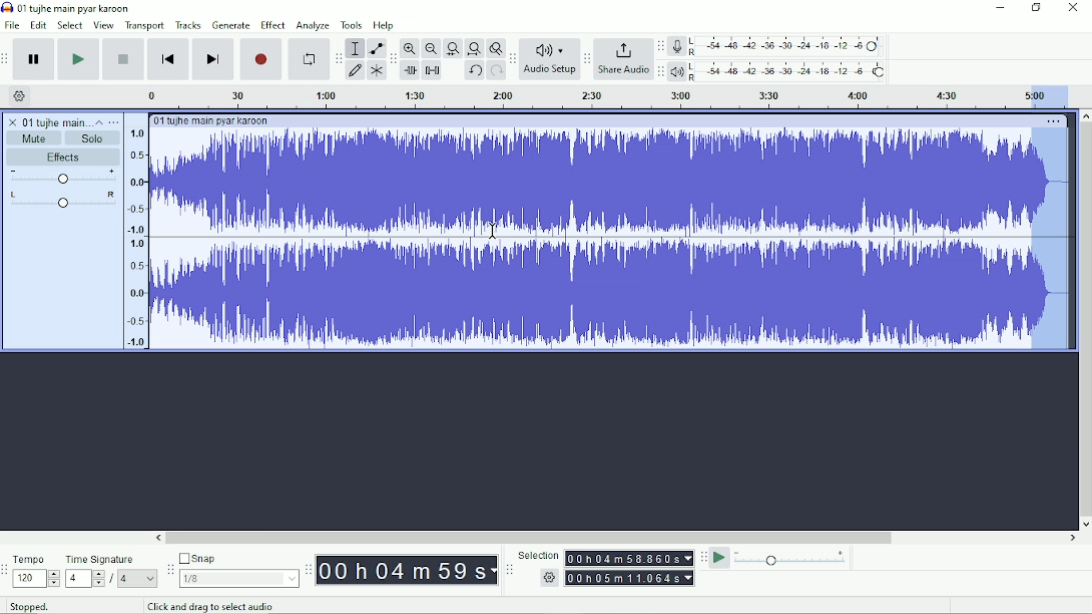 Image resolution: width=1092 pixels, height=614 pixels. I want to click on Stop, so click(122, 59).